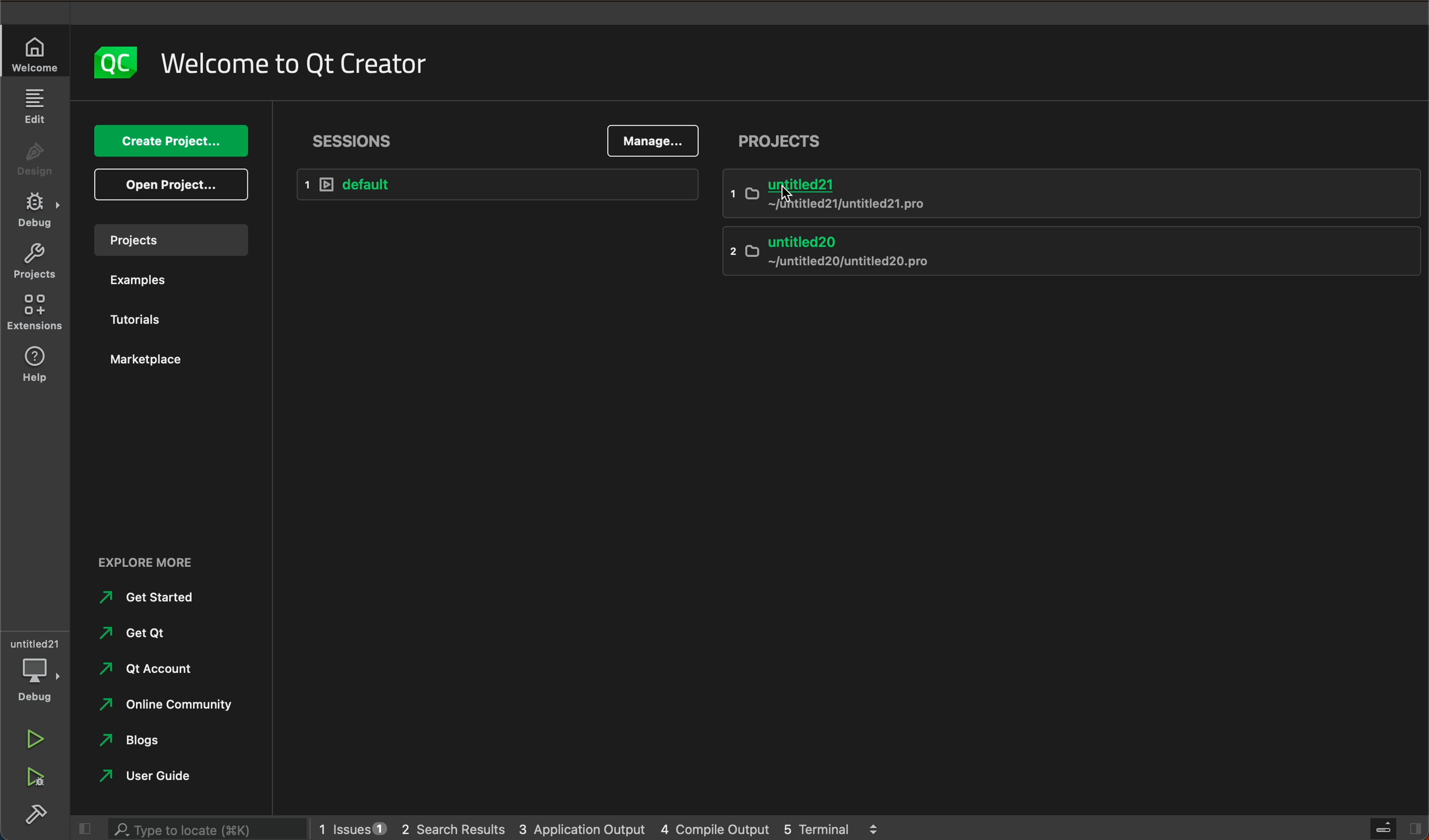  Describe the element at coordinates (32, 779) in the screenshot. I see `run debug` at that location.